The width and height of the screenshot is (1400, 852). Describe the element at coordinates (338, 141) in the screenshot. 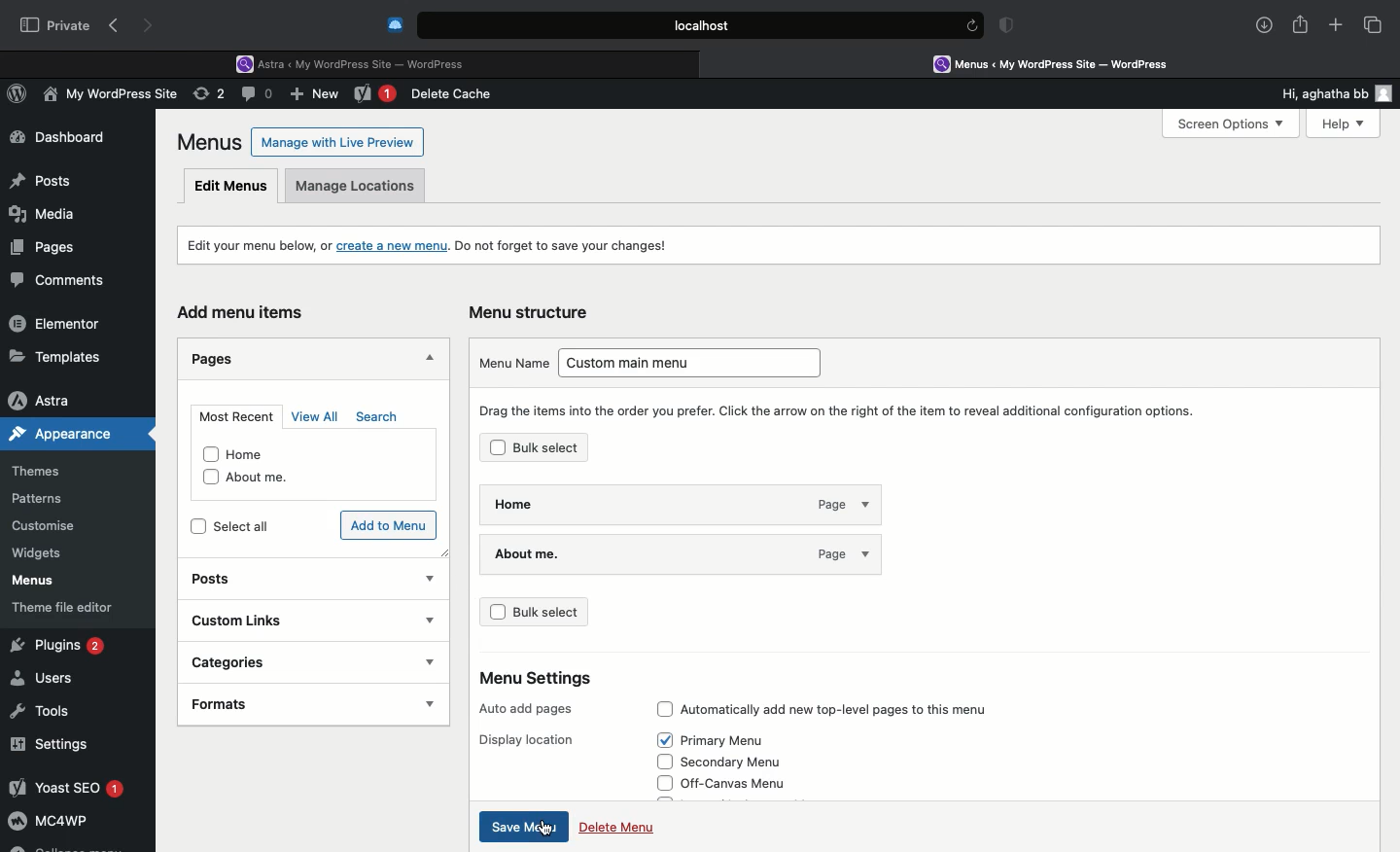

I see `Manage with Live Preview` at that location.